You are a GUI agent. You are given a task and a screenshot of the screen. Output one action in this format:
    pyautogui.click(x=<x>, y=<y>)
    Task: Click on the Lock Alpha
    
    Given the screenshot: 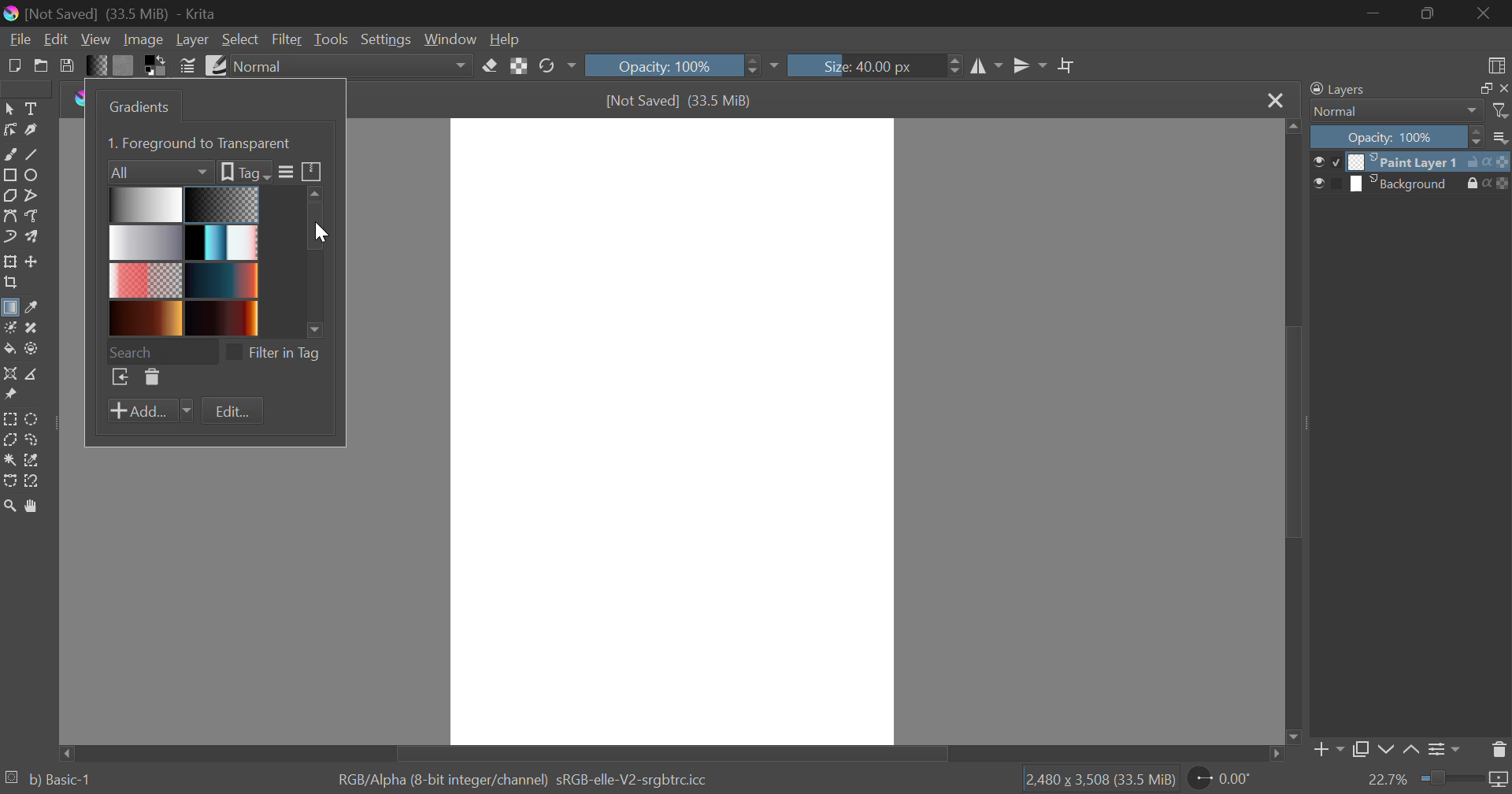 What is the action you would take?
    pyautogui.click(x=518, y=66)
    